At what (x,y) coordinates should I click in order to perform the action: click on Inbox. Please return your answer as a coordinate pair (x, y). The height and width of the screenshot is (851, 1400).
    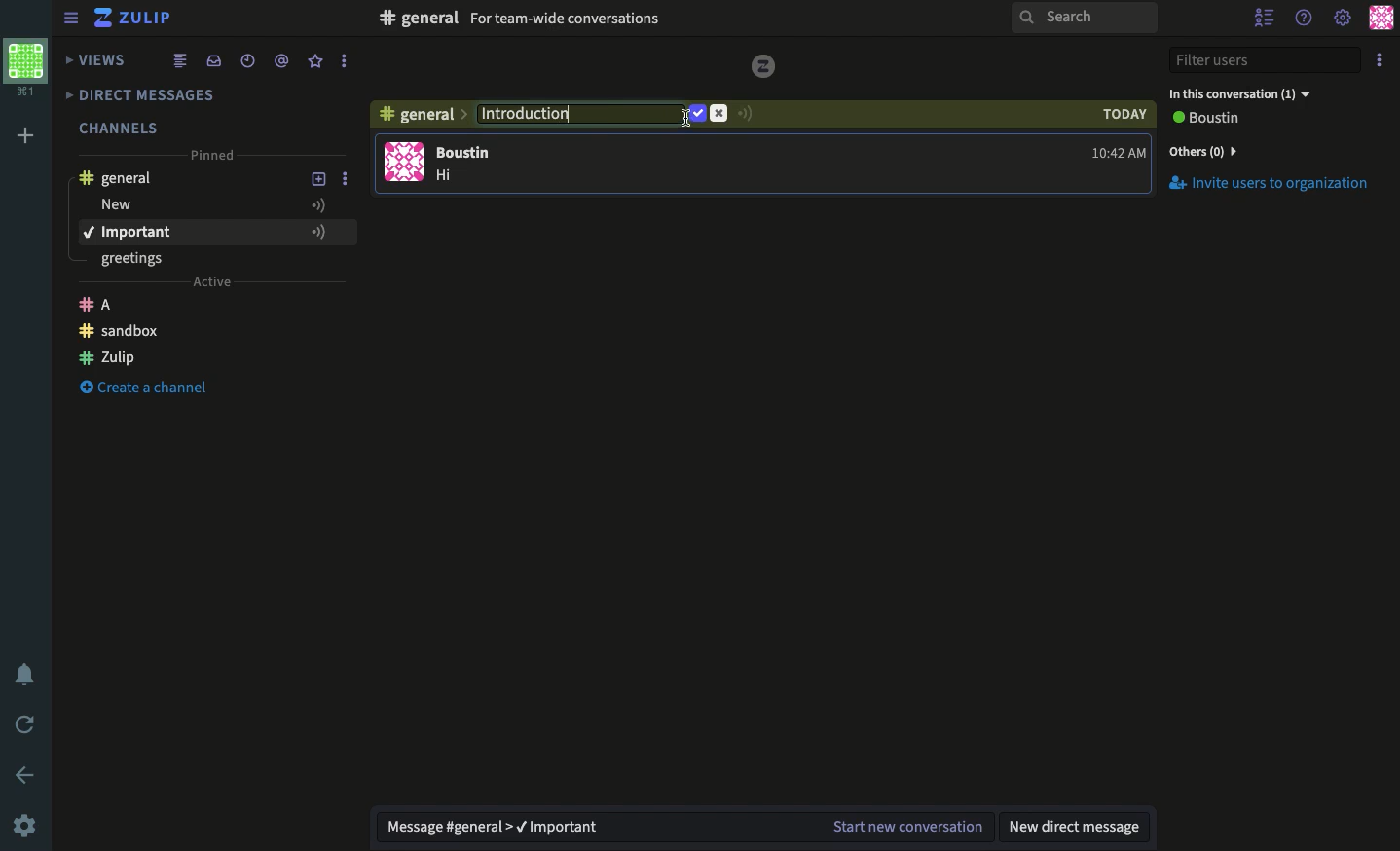
    Looking at the image, I should click on (213, 59).